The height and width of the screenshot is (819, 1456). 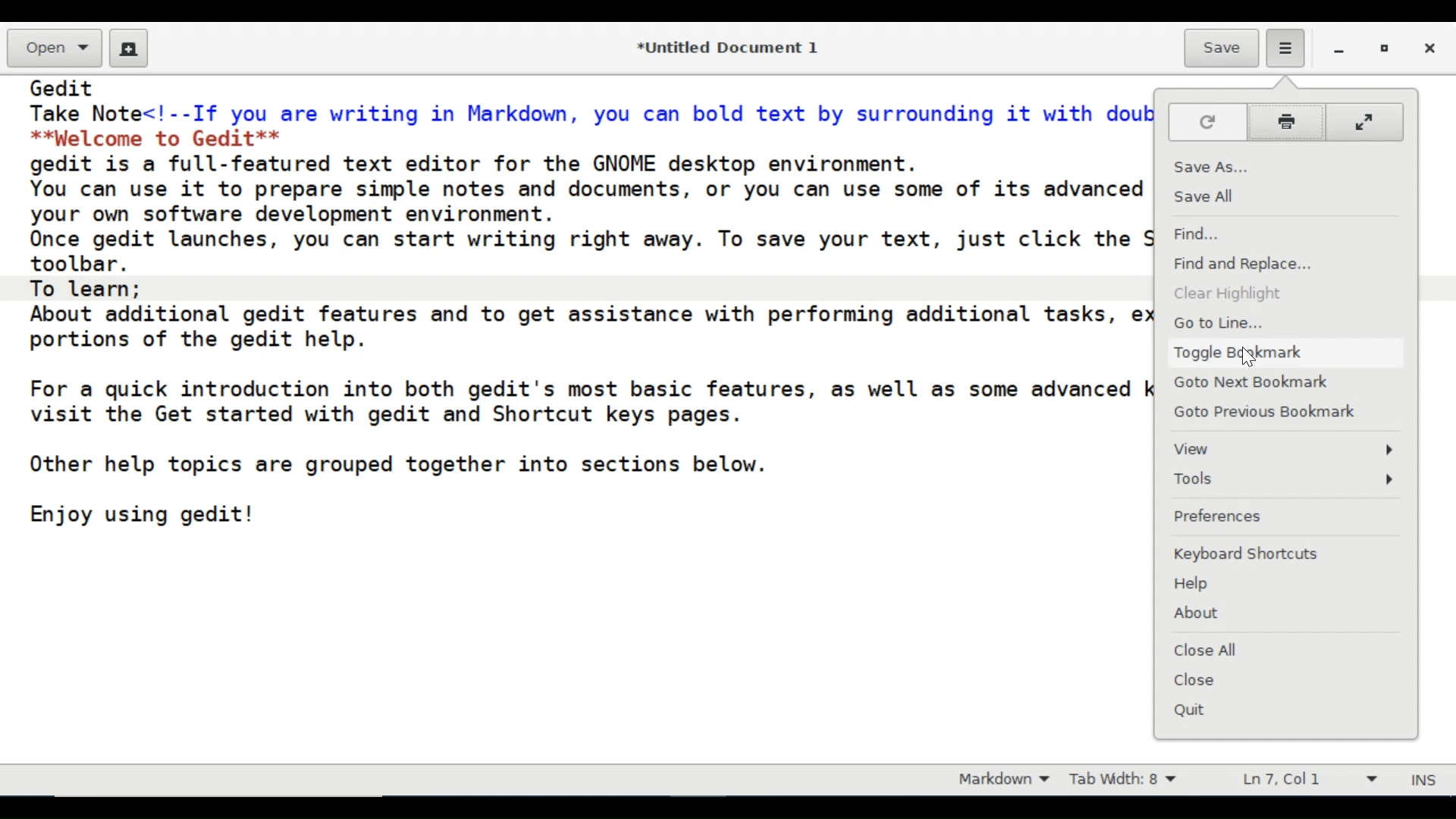 What do you see at coordinates (1285, 449) in the screenshot?
I see `View` at bounding box center [1285, 449].